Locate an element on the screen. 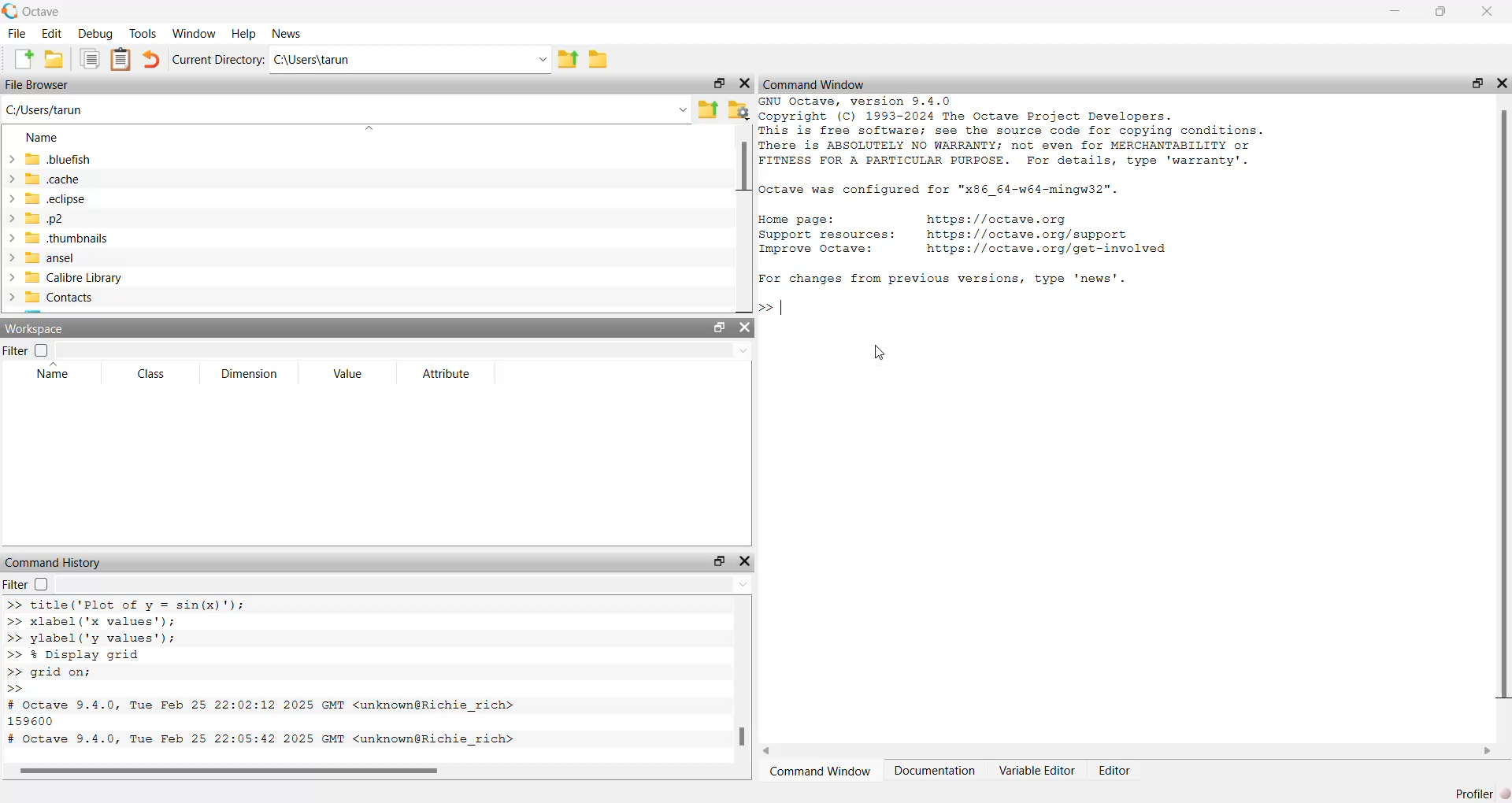 The width and height of the screenshot is (1512, 803). resize is located at coordinates (1477, 83).